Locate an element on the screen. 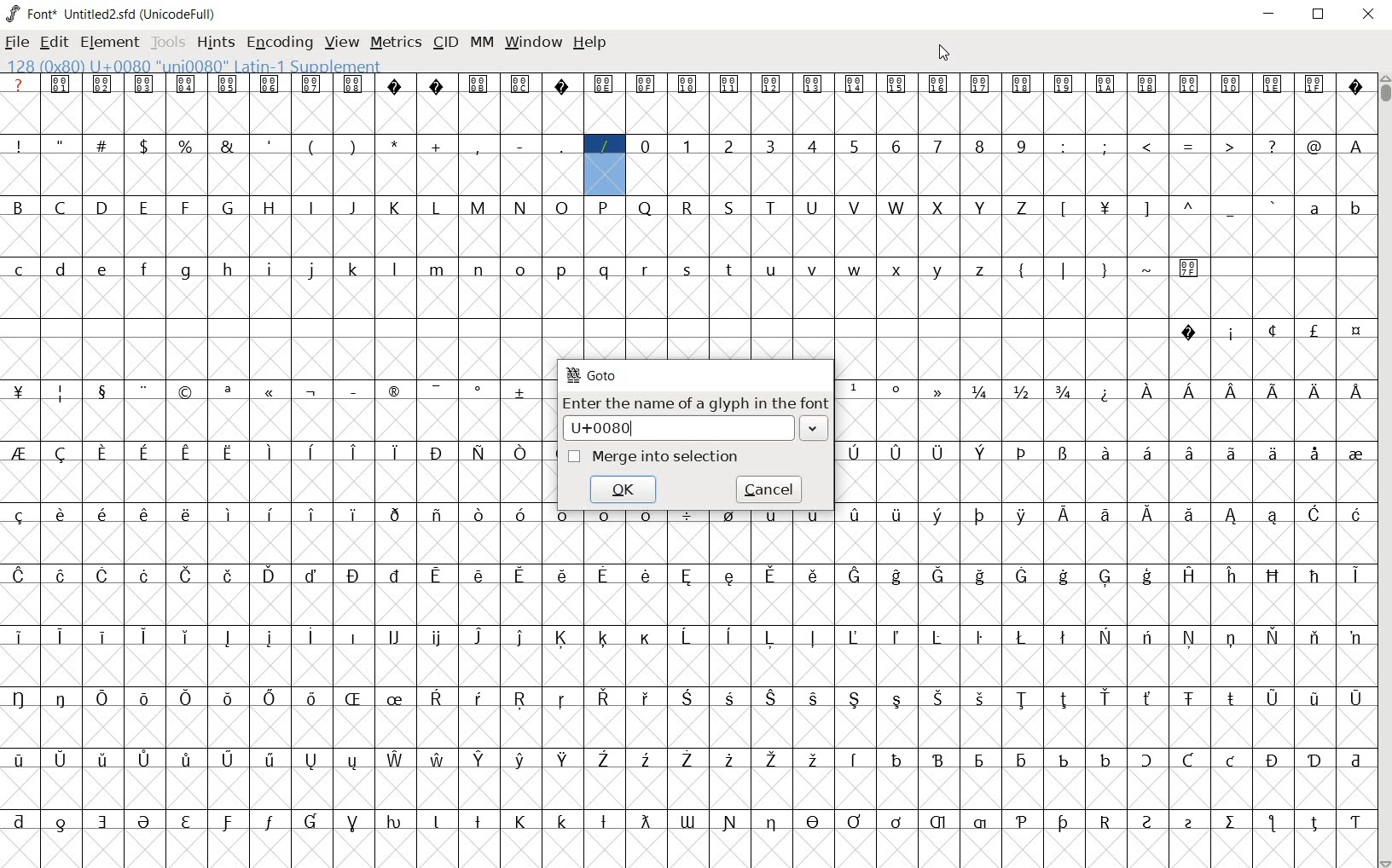 This screenshot has width=1392, height=868. glyph is located at coordinates (729, 147).